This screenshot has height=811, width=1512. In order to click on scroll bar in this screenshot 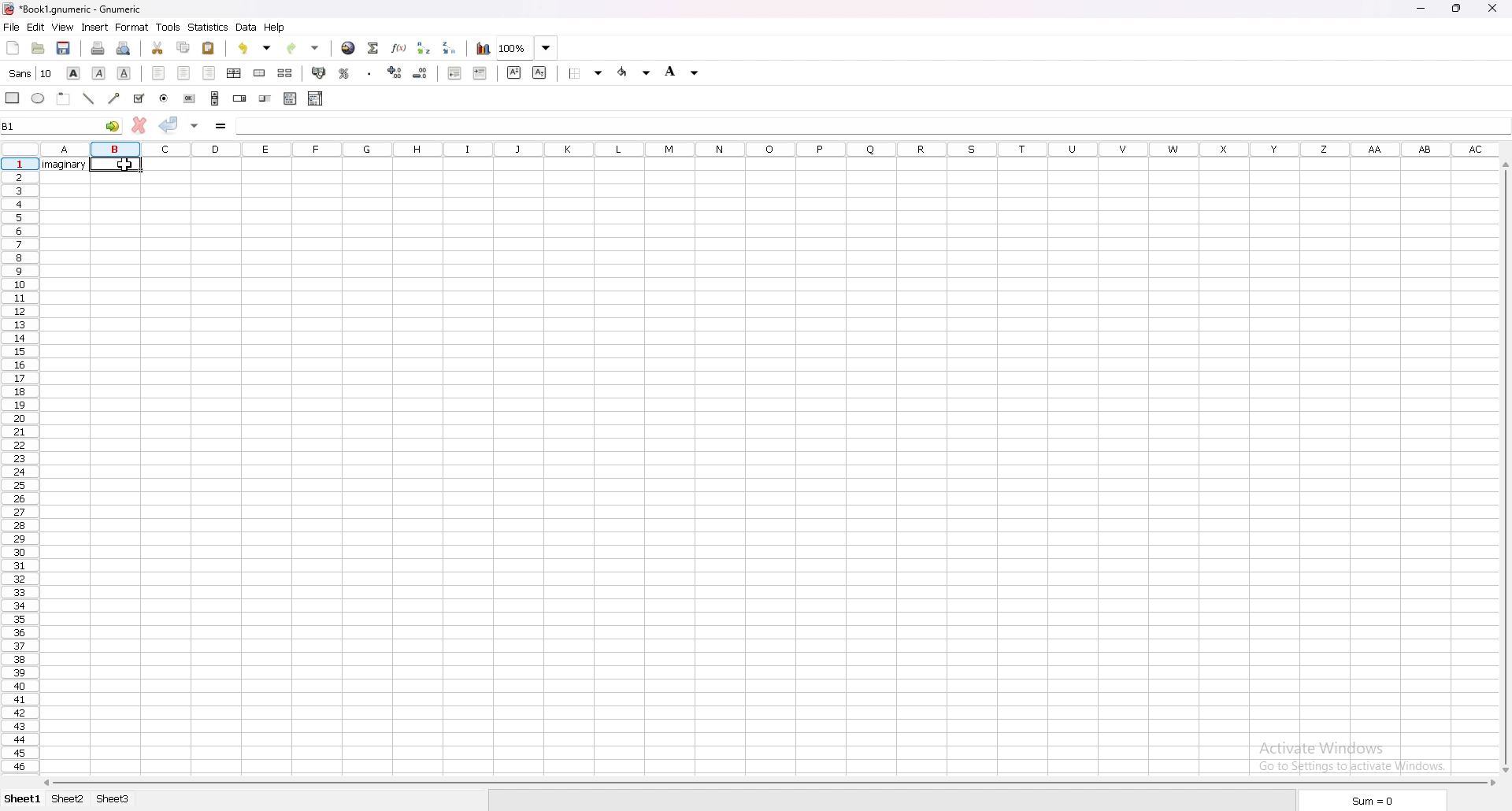, I will do `click(1503, 468)`.